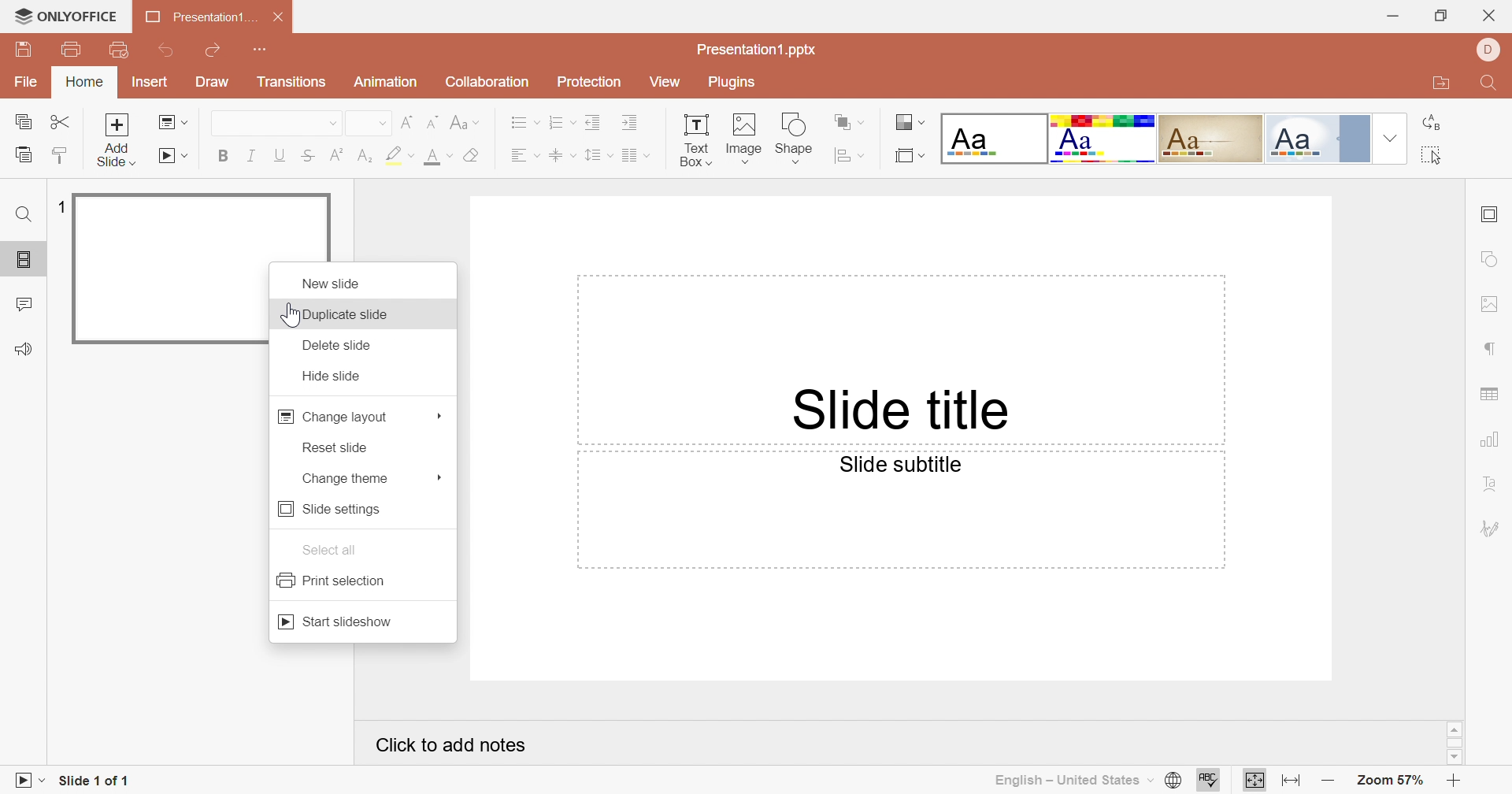 The width and height of the screenshot is (1512, 794). I want to click on Subscript, so click(364, 155).